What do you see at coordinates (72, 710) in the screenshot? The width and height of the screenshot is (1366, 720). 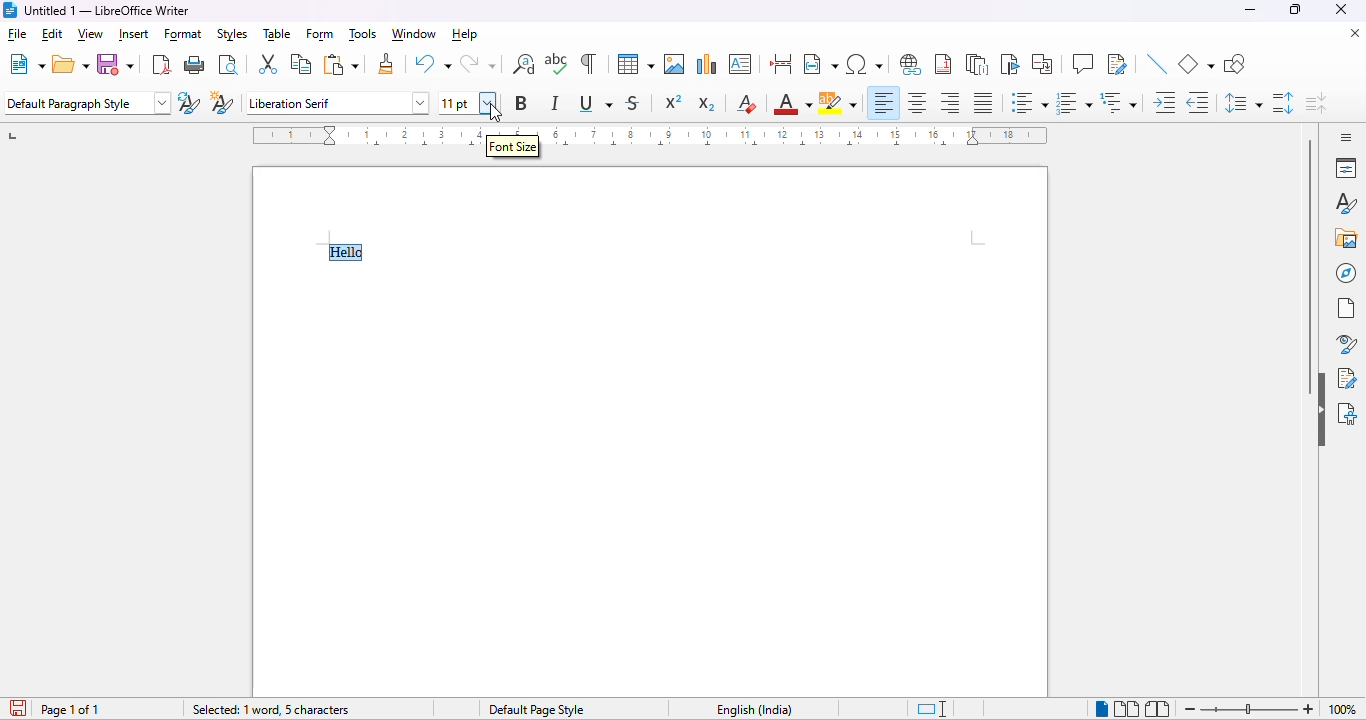 I see `page 1 of 1` at bounding box center [72, 710].